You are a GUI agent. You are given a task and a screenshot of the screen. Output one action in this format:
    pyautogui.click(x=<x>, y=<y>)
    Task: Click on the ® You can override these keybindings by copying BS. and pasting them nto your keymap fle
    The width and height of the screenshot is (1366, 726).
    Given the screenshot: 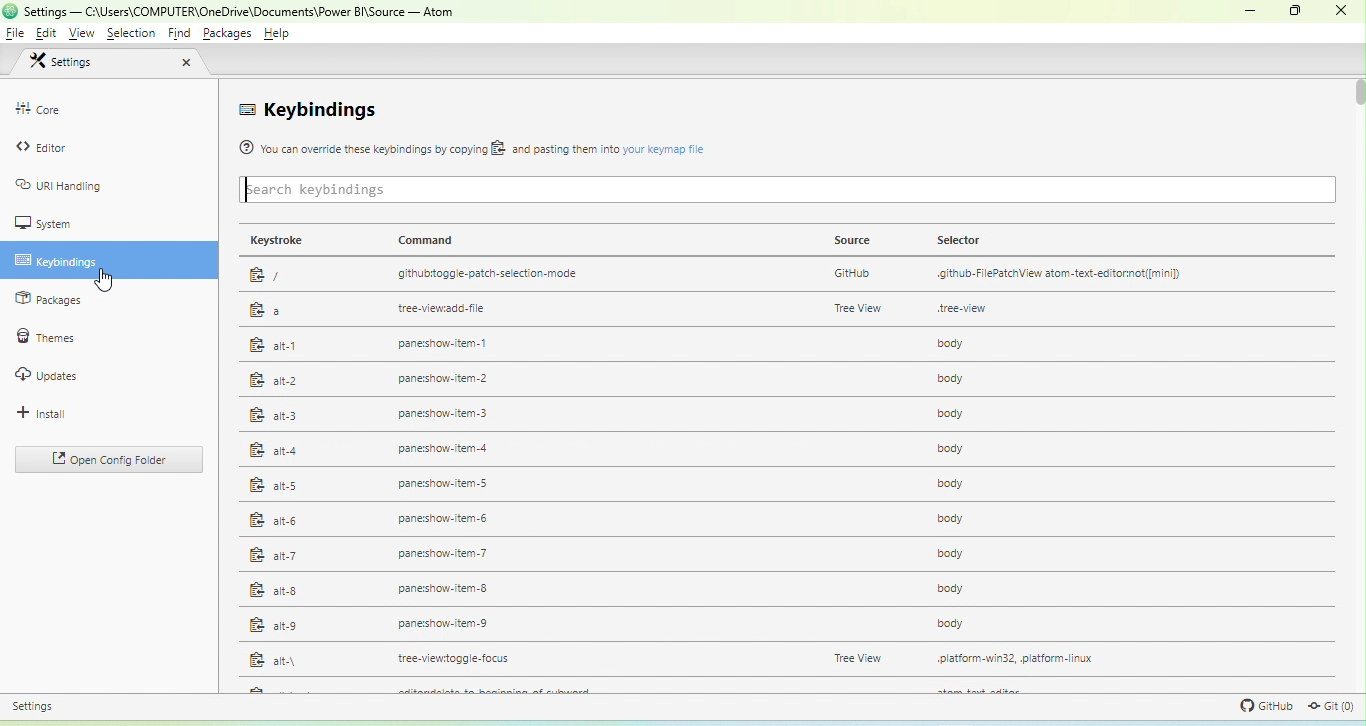 What is the action you would take?
    pyautogui.click(x=470, y=148)
    